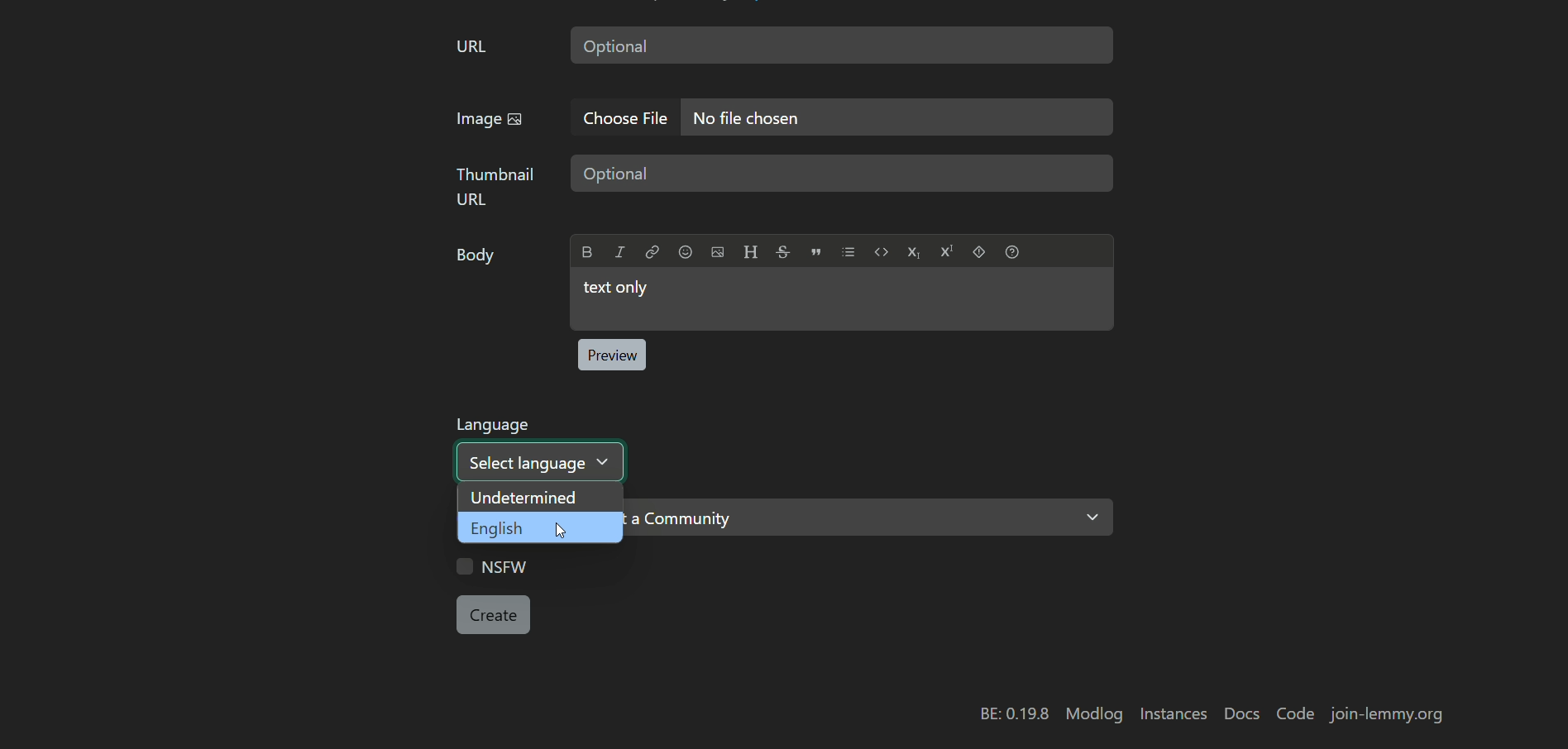 The width and height of the screenshot is (1568, 749). I want to click on Subscript, so click(913, 252).